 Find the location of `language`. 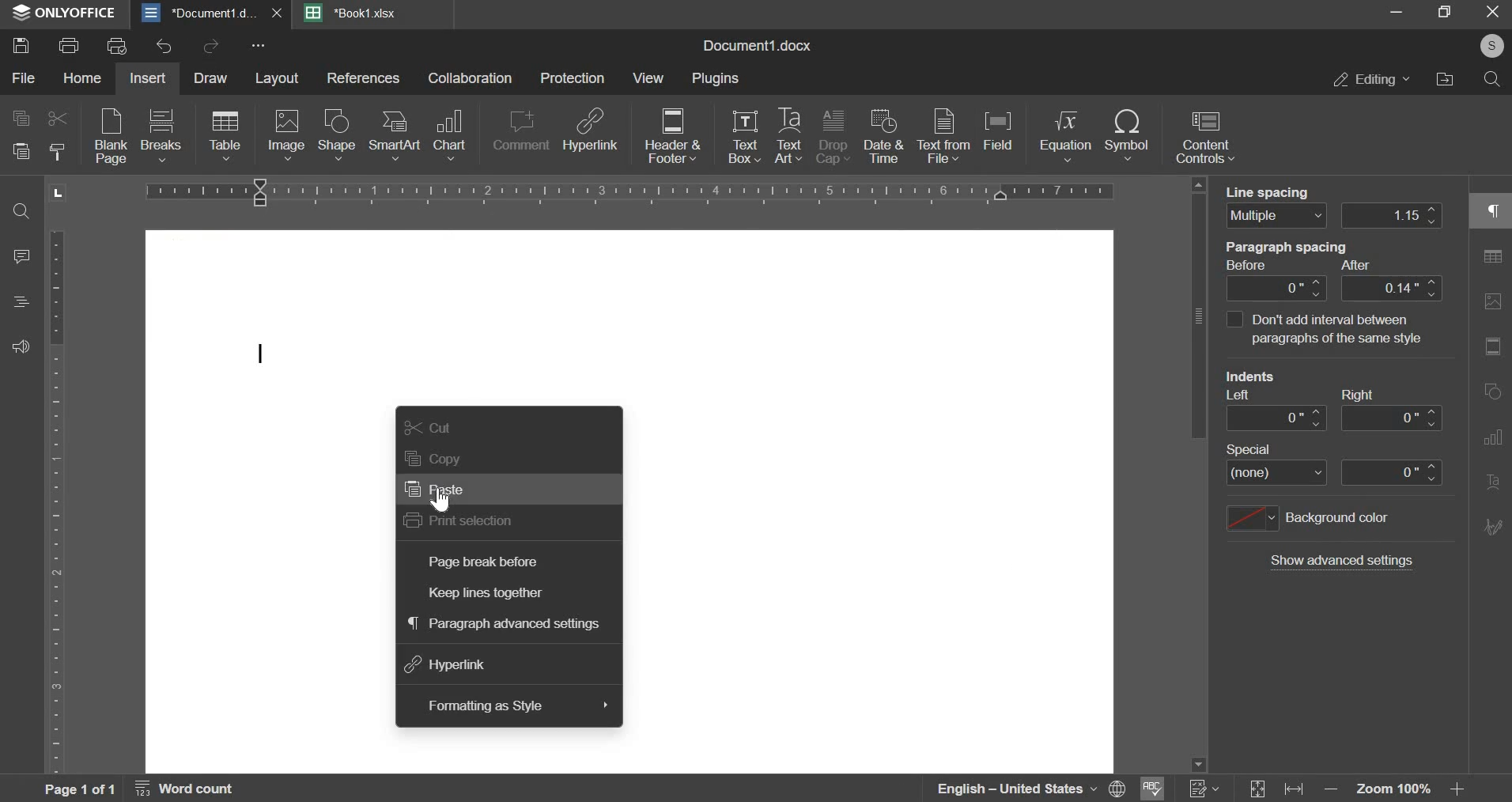

language is located at coordinates (1032, 789).